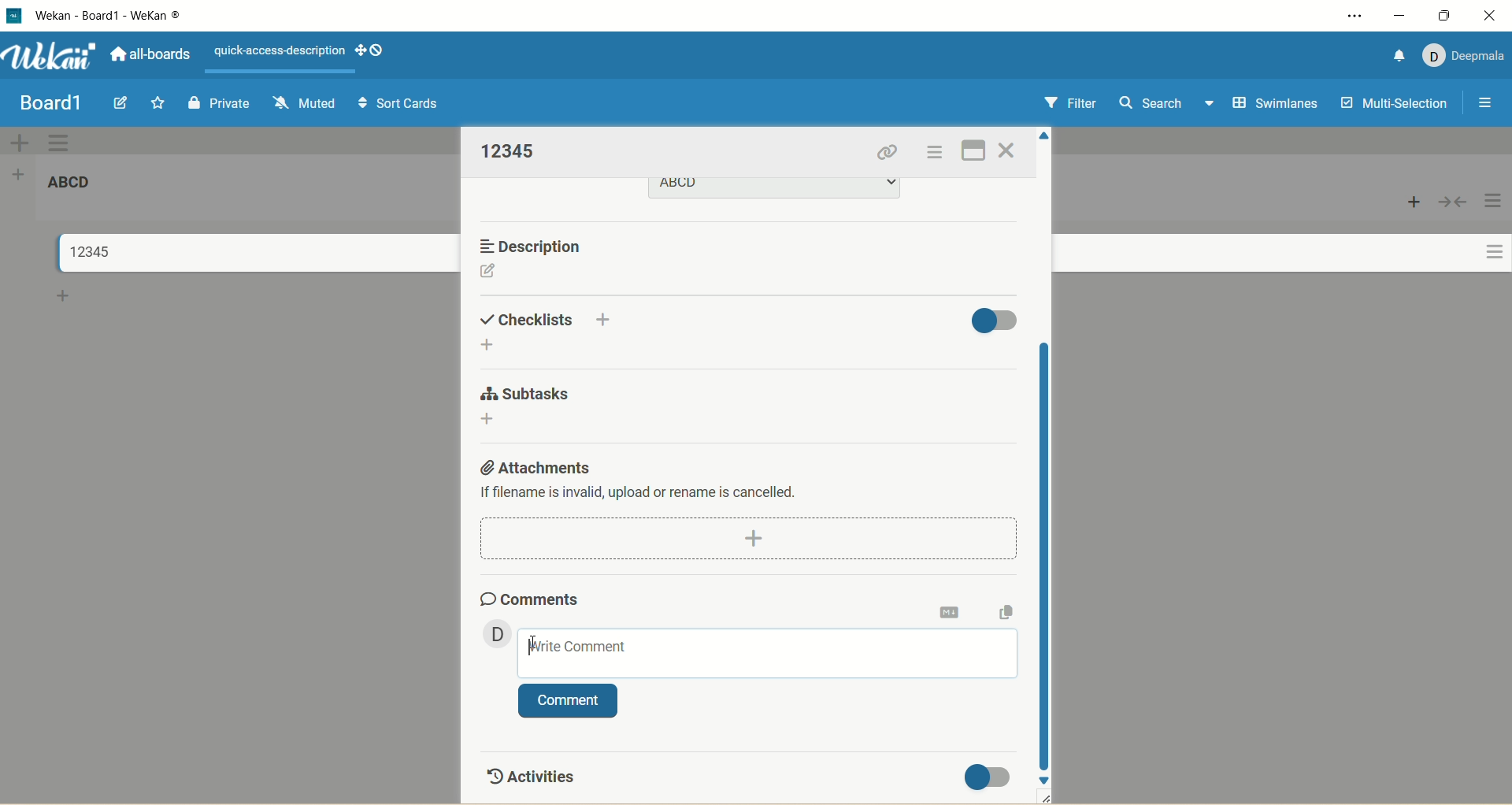 Image resolution: width=1512 pixels, height=805 pixels. I want to click on dd, so click(753, 539).